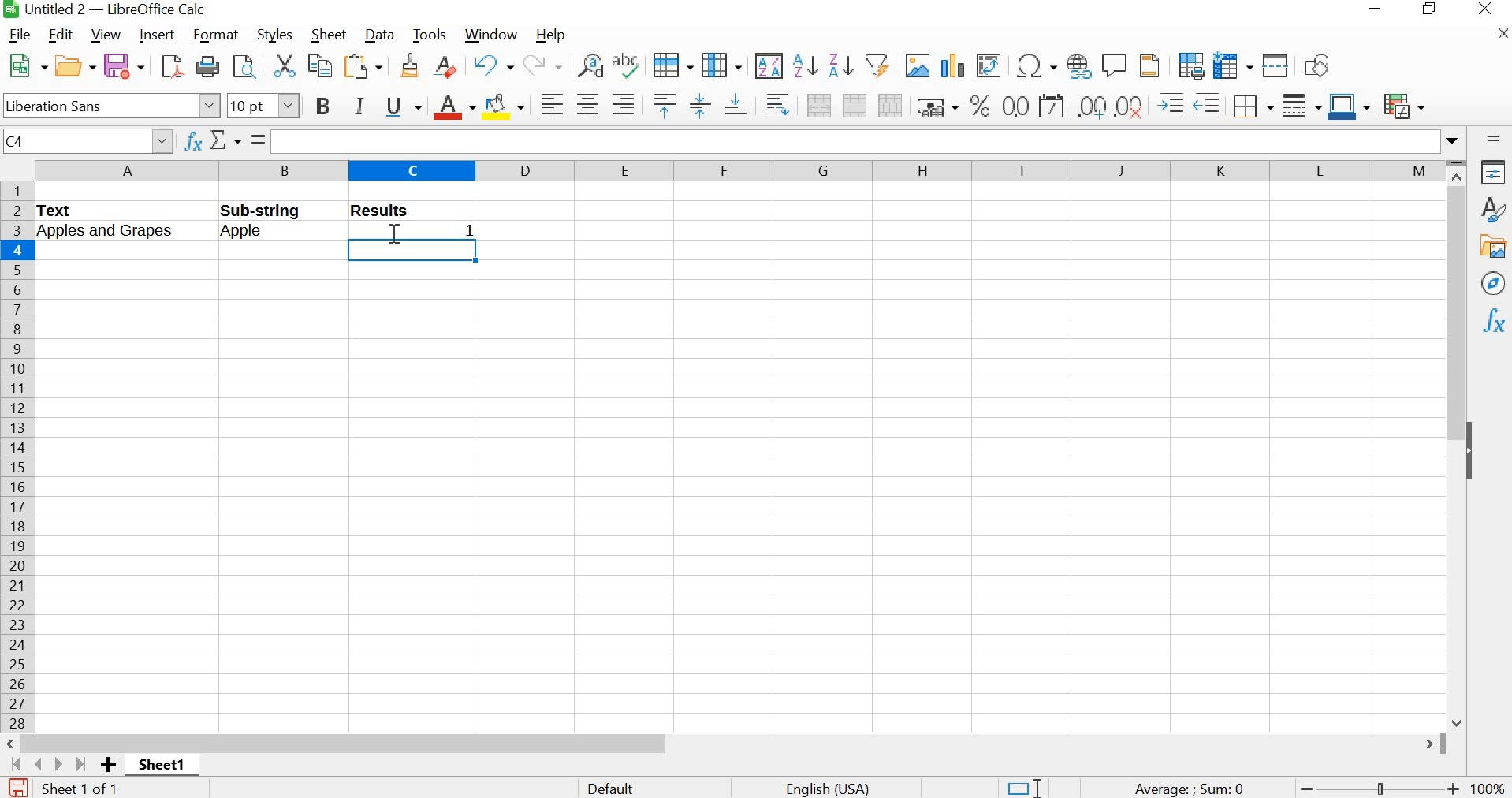 The width and height of the screenshot is (1512, 798). What do you see at coordinates (445, 66) in the screenshot?
I see `clear direct formatting` at bounding box center [445, 66].